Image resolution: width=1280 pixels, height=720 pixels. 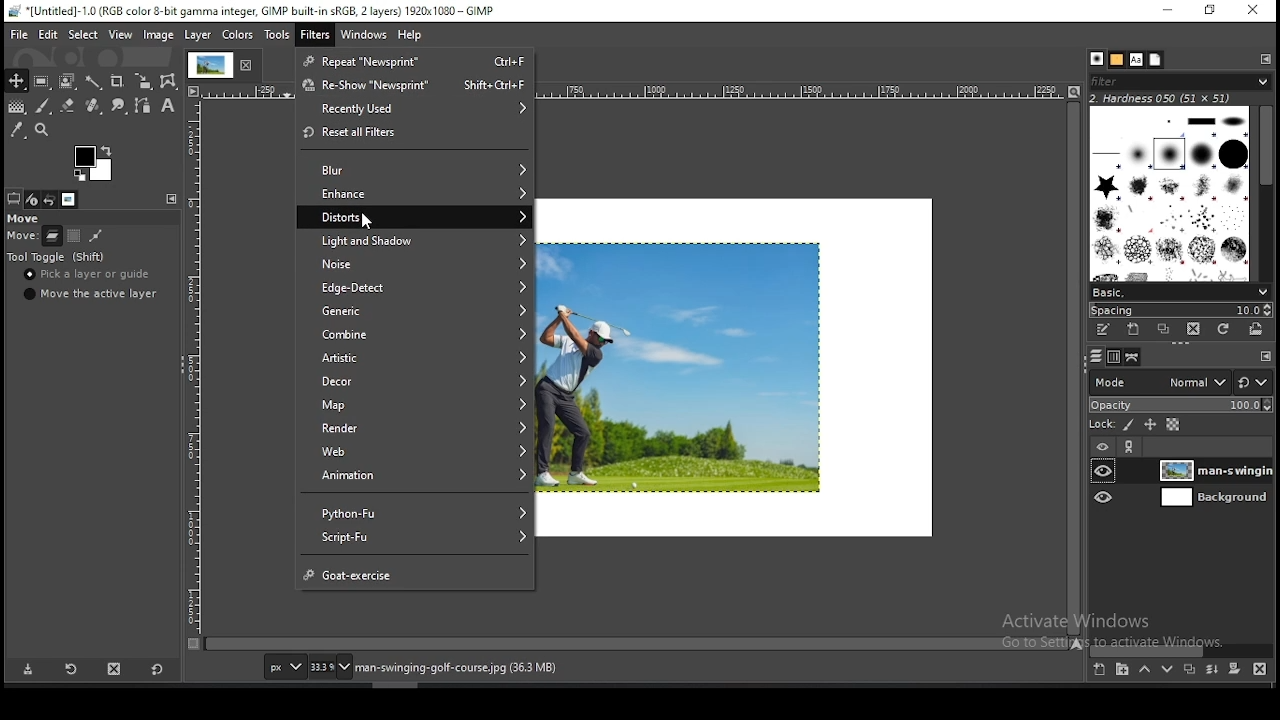 I want to click on paths, so click(x=1134, y=357).